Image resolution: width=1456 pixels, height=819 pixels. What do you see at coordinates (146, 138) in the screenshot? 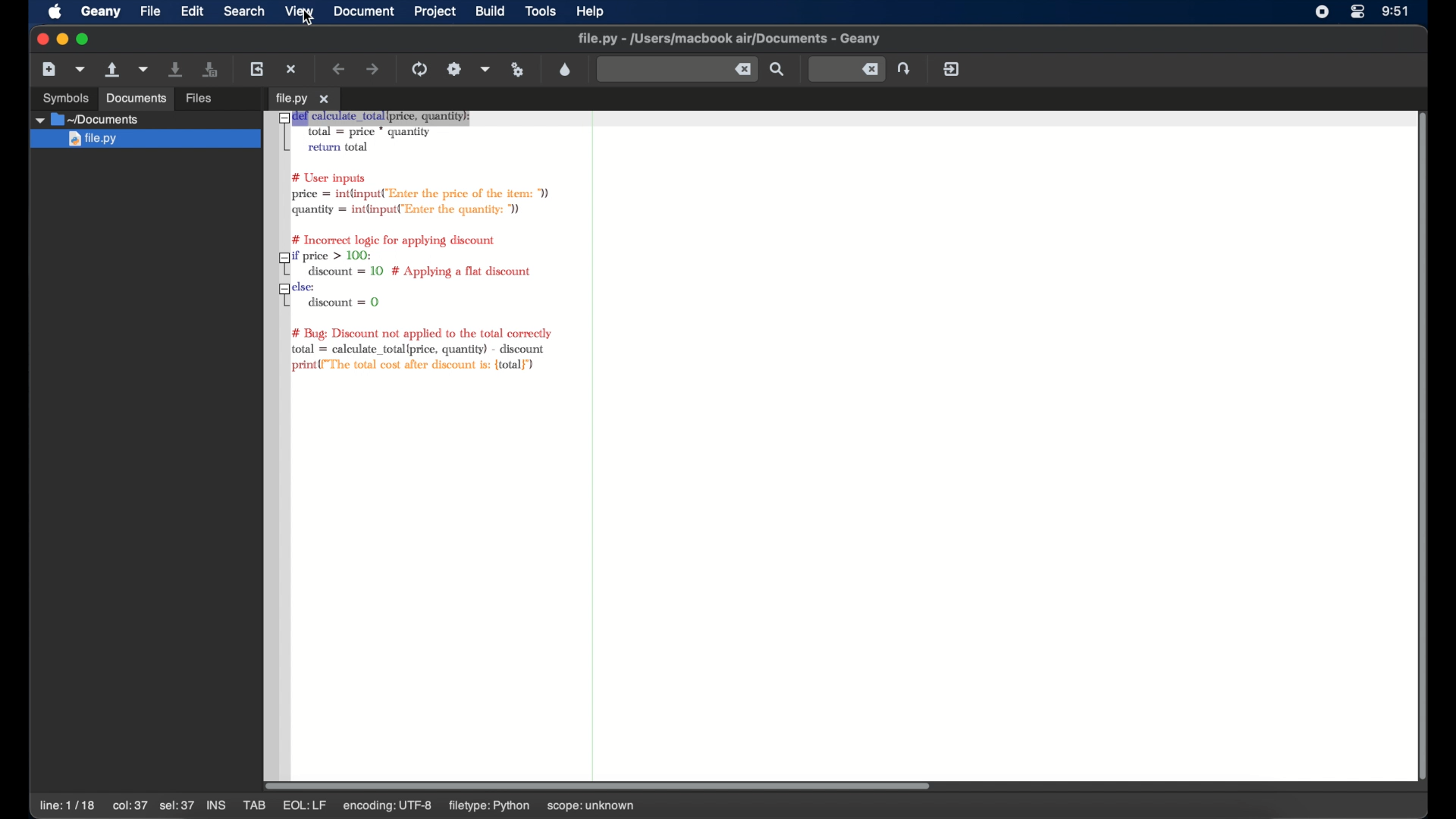
I see `file.py` at bounding box center [146, 138].